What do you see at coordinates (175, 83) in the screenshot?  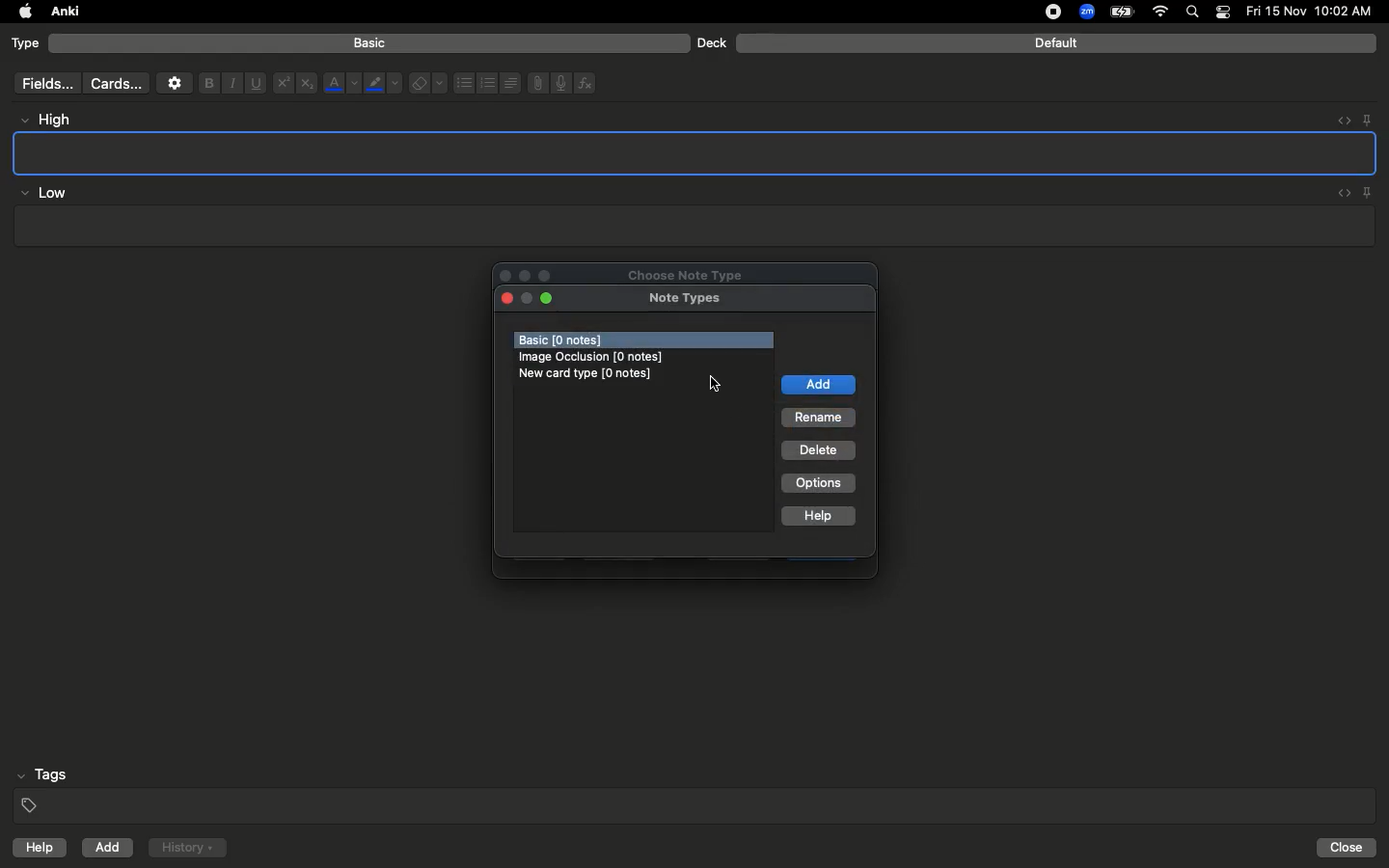 I see `Settings` at bounding box center [175, 83].